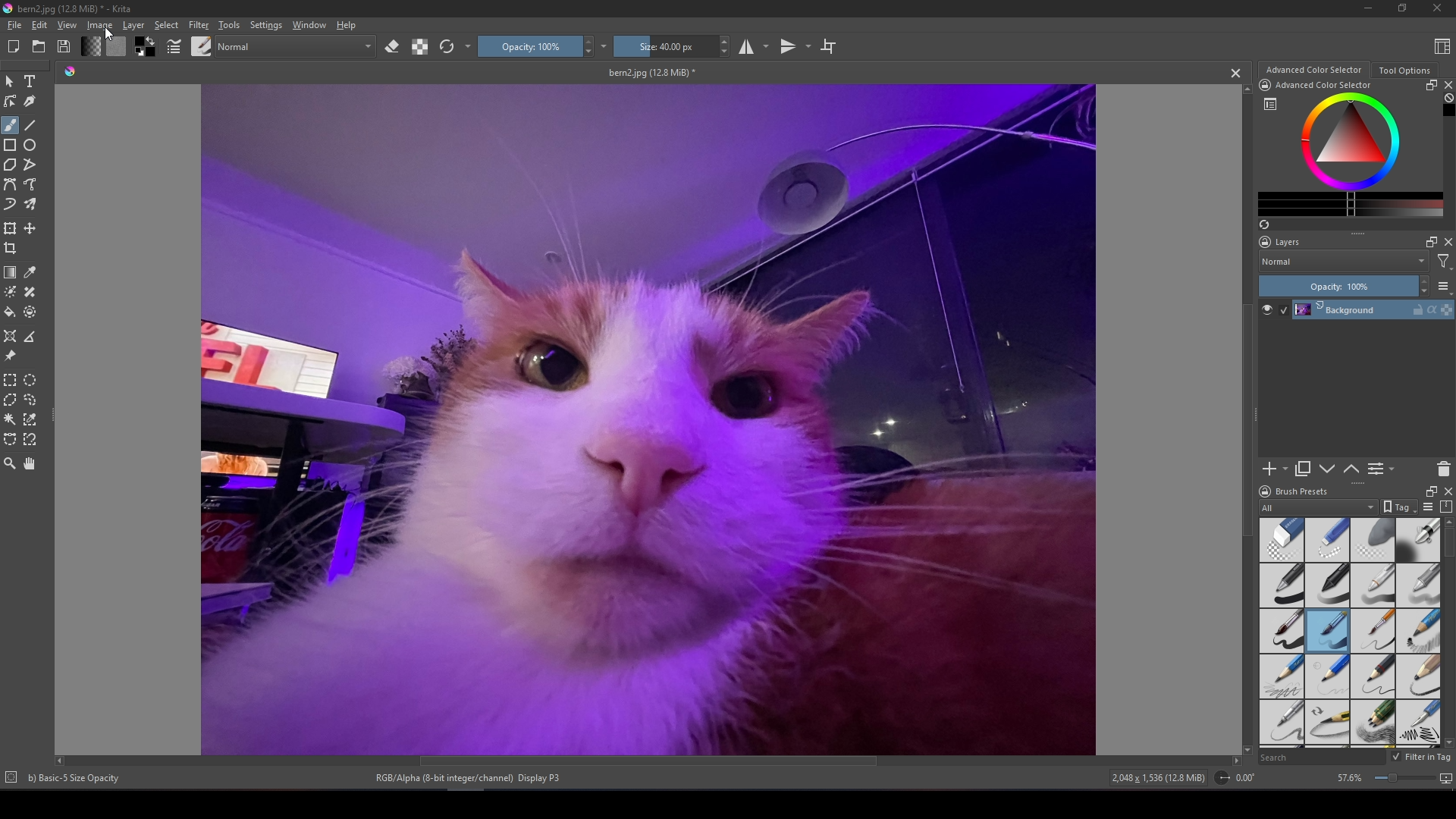 Image resolution: width=1456 pixels, height=819 pixels. Describe the element at coordinates (1357, 483) in the screenshot. I see `Layers interface slider` at that location.